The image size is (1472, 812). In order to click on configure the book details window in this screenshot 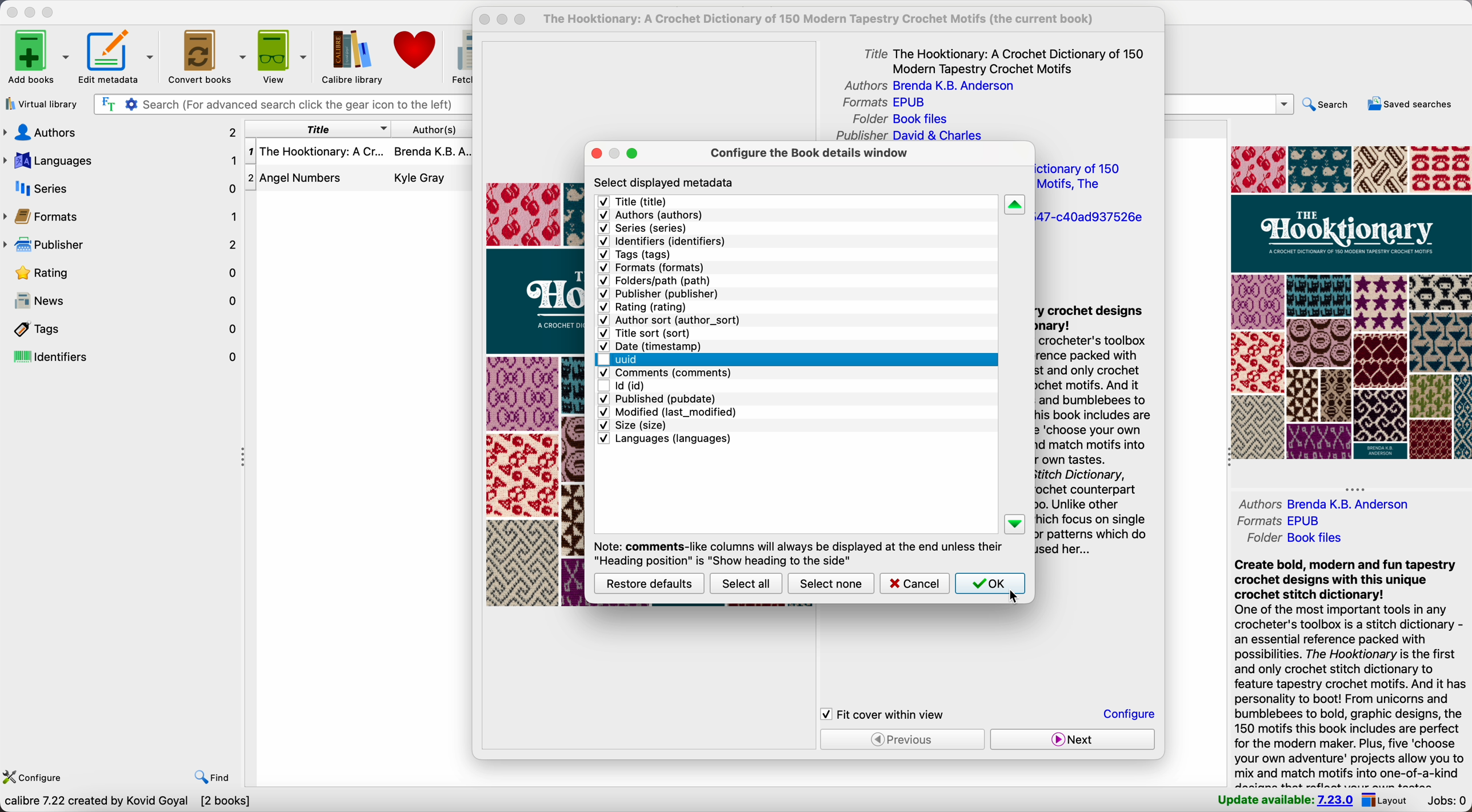, I will do `click(808, 156)`.